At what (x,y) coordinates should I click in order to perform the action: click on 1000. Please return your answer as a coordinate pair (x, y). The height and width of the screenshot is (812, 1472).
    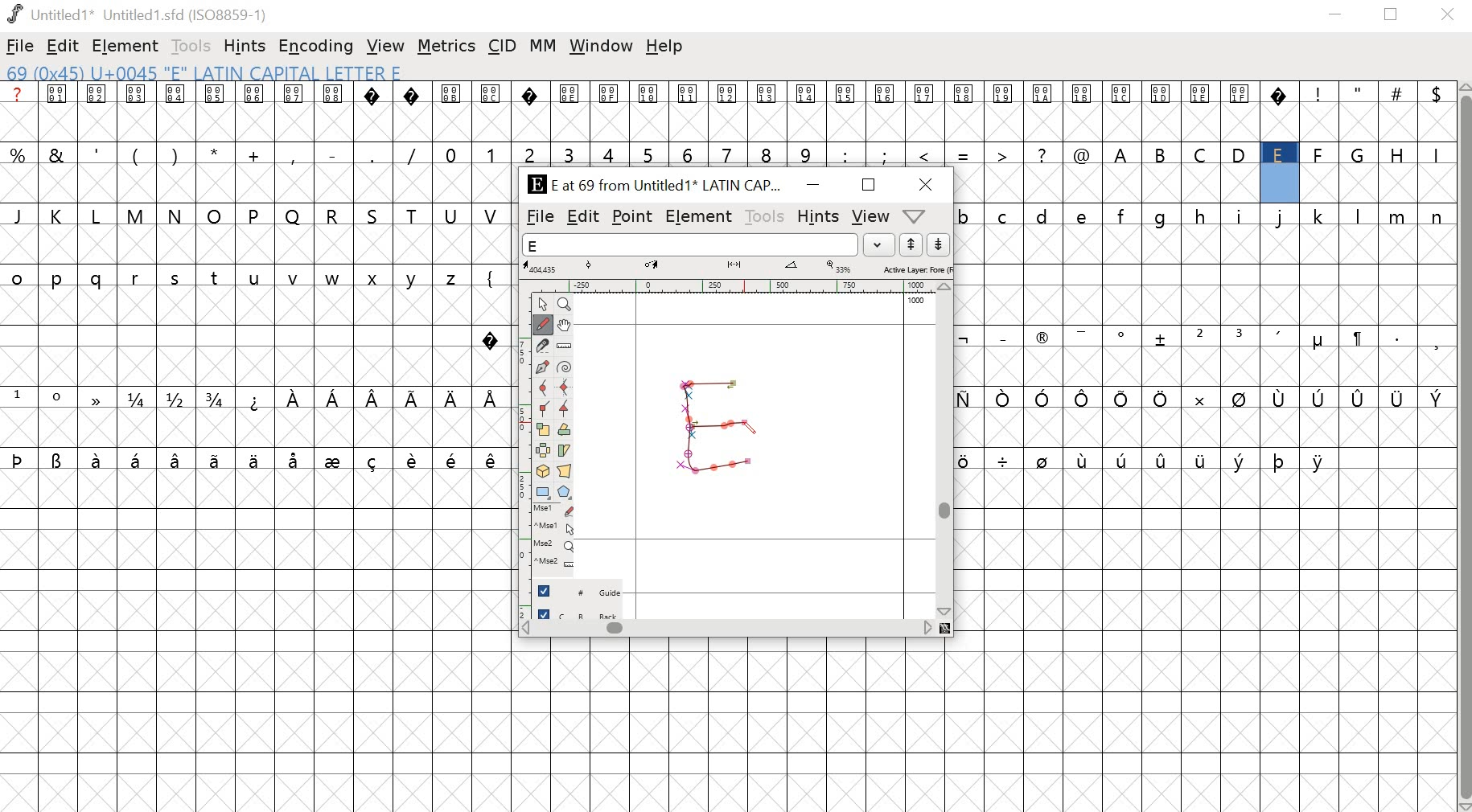
    Looking at the image, I should click on (917, 301).